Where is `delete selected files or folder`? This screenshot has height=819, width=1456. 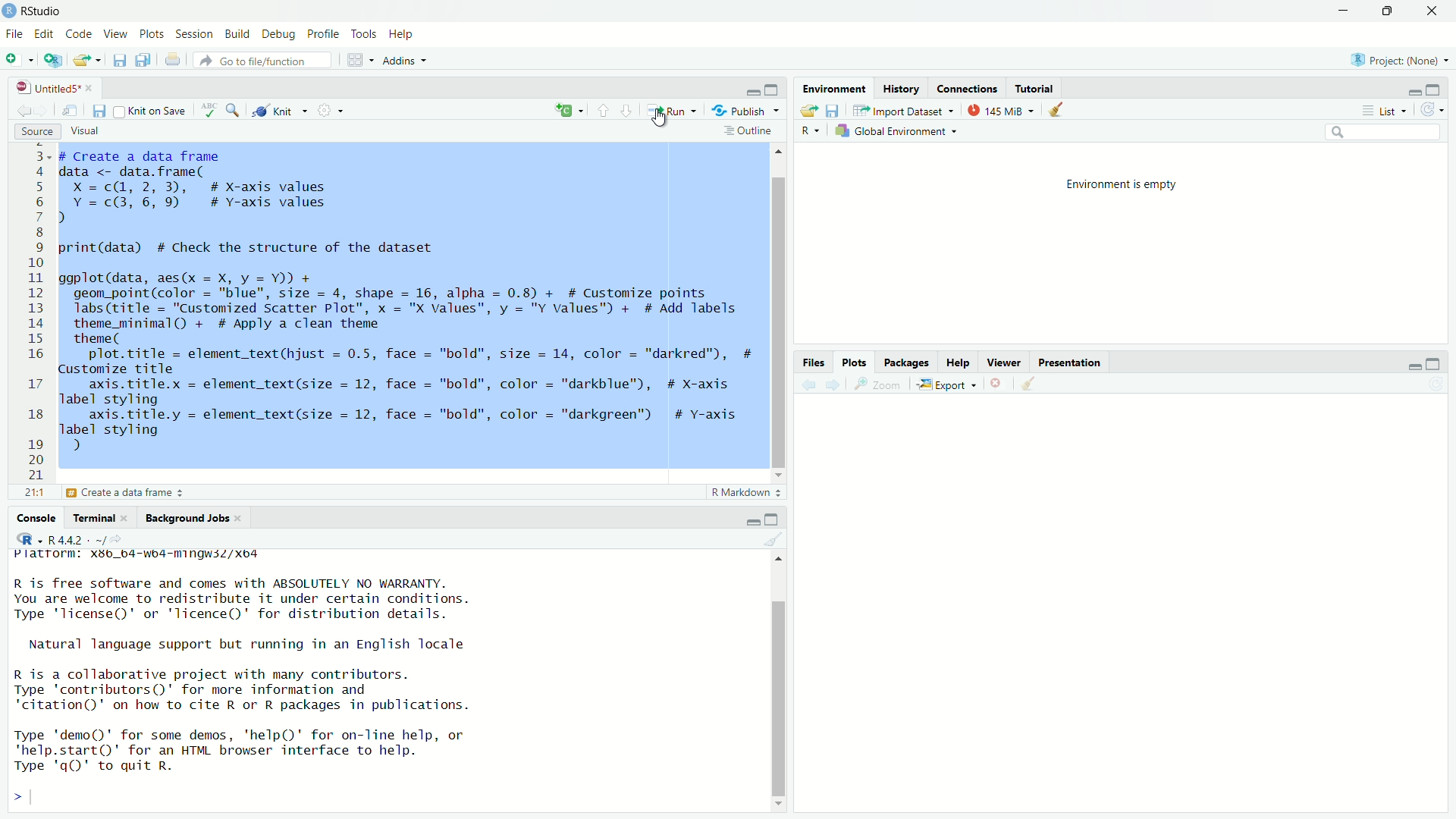 delete selected files or folder is located at coordinates (997, 385).